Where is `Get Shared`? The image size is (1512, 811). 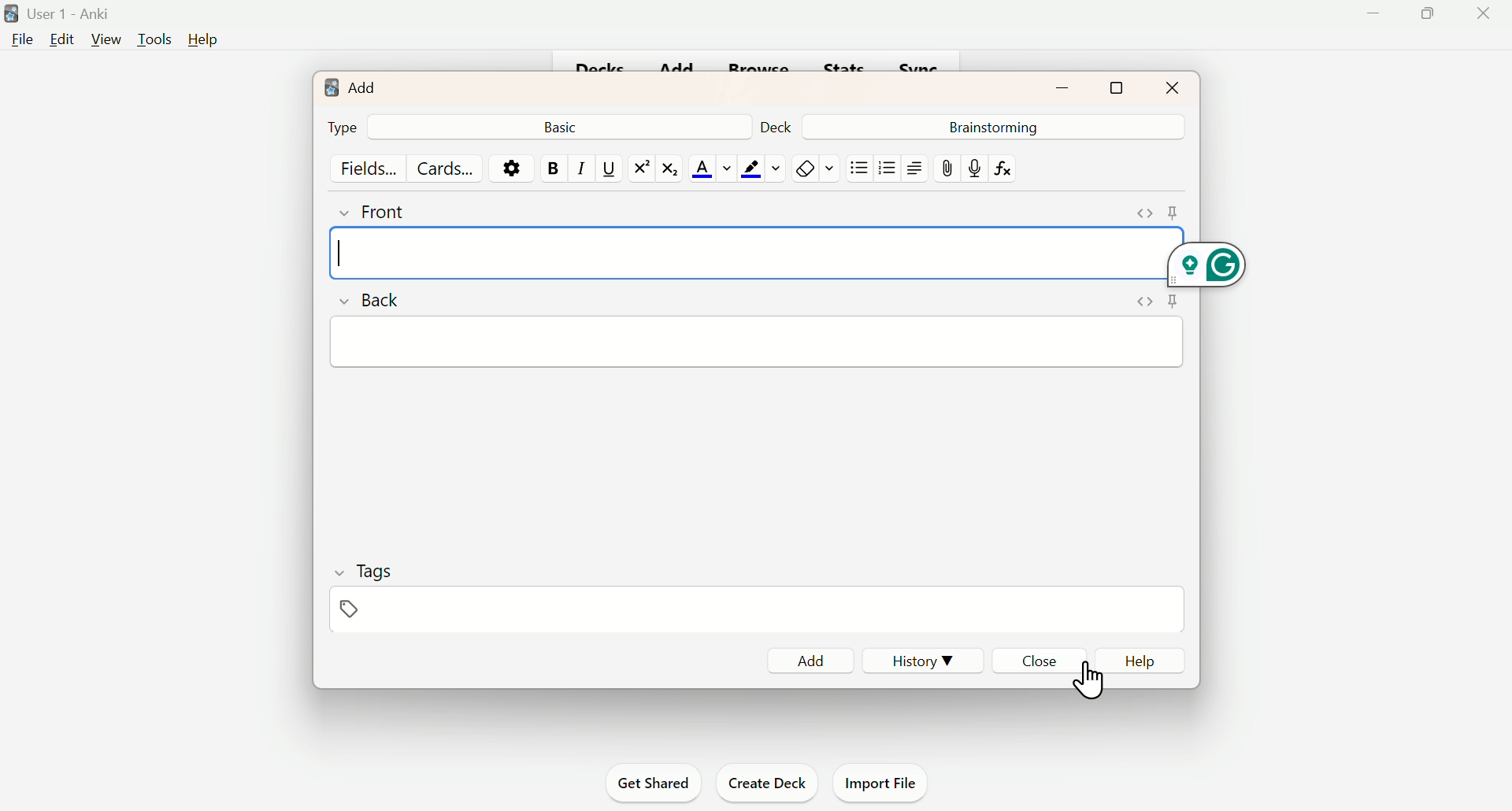
Get Shared is located at coordinates (659, 783).